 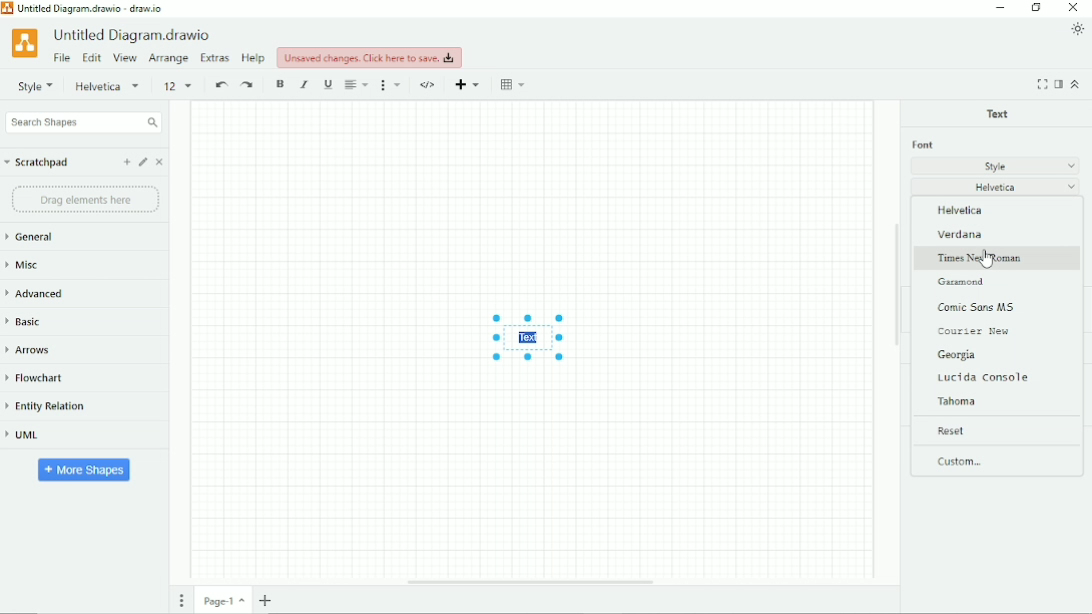 What do you see at coordinates (357, 85) in the screenshot?
I see `Align` at bounding box center [357, 85].